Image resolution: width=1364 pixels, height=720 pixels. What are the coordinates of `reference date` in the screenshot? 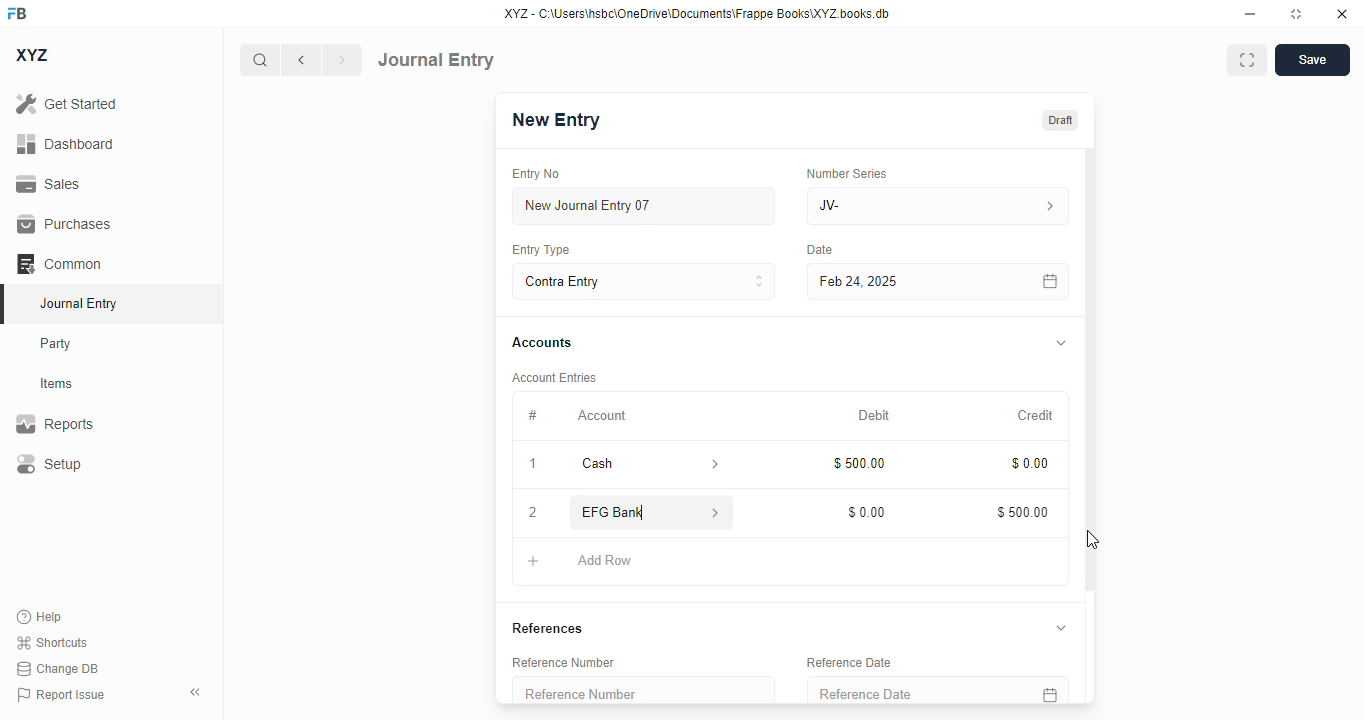 It's located at (850, 662).